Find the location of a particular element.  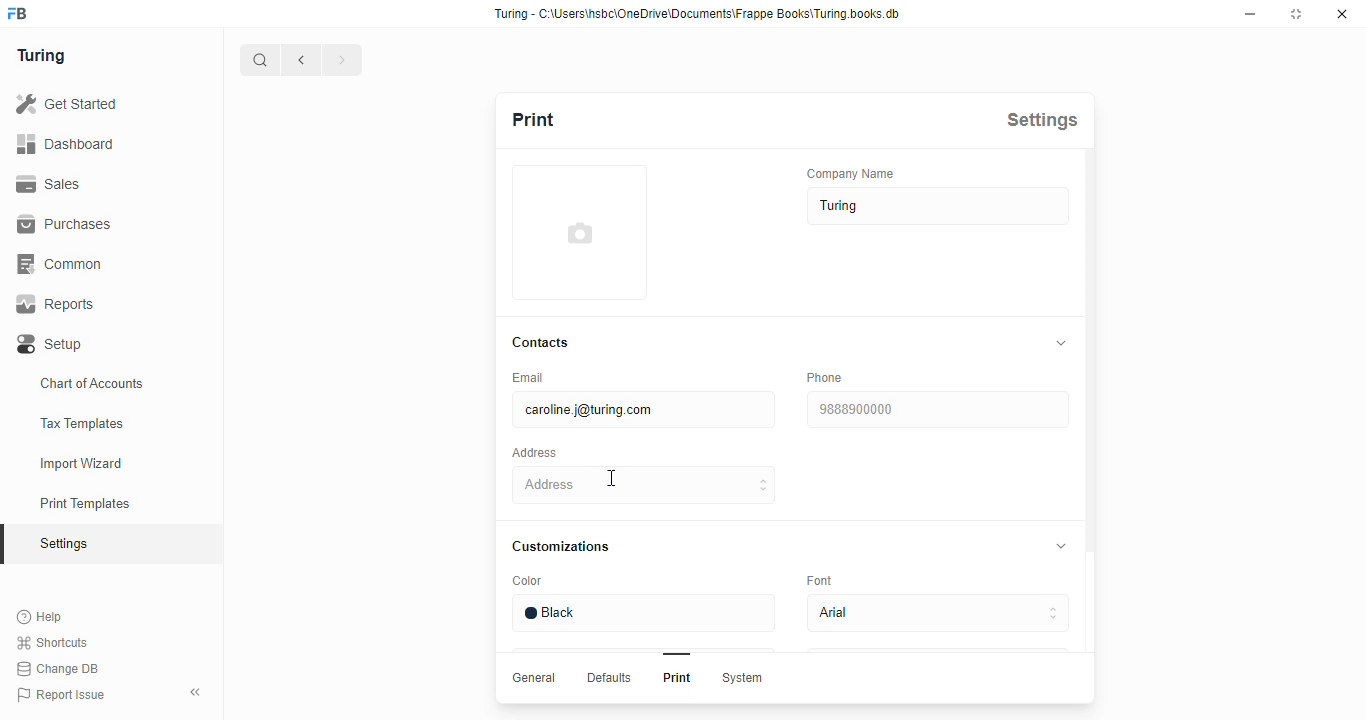

contacts is located at coordinates (542, 343).